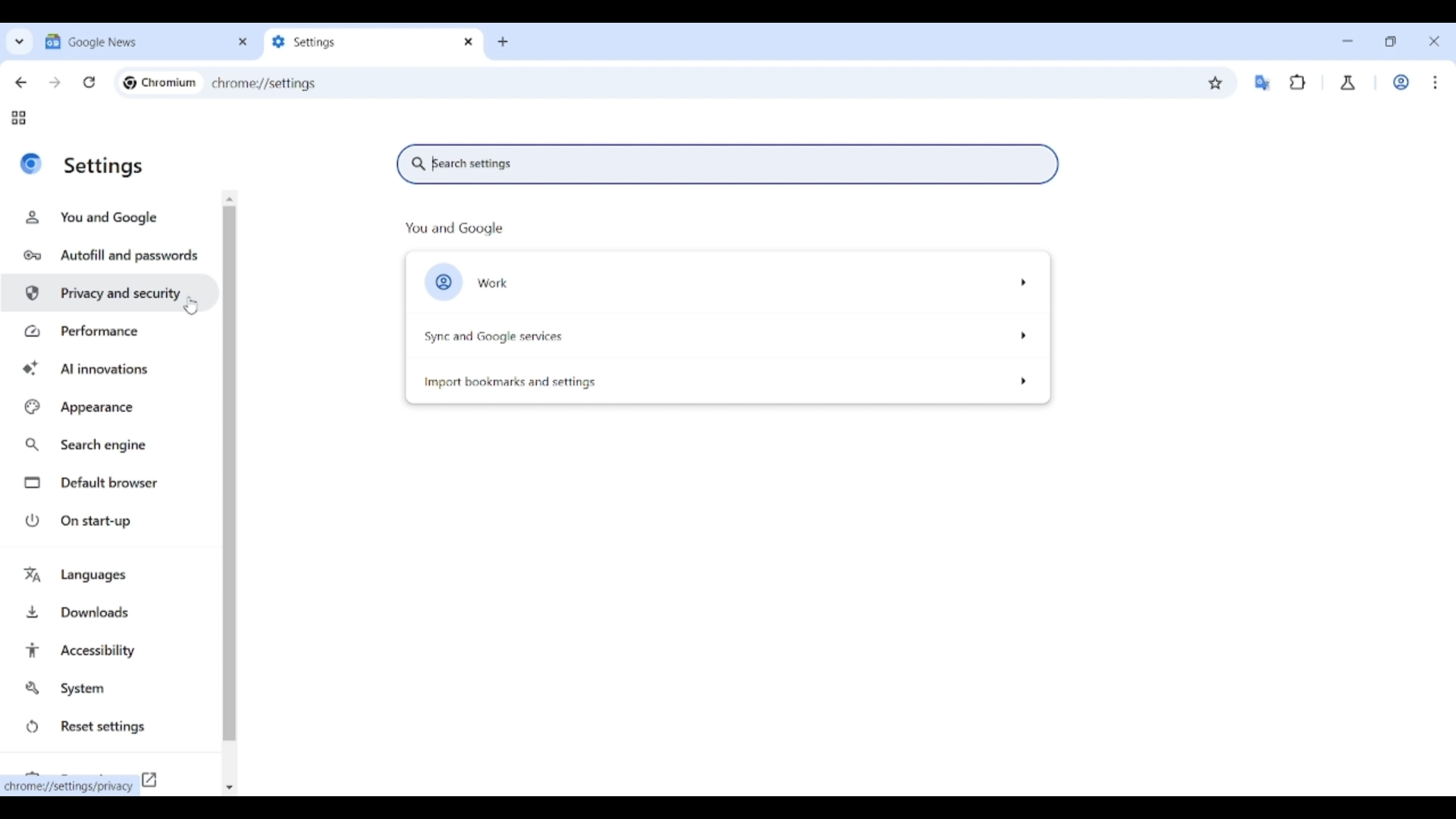 The image size is (1456, 819). Describe the element at coordinates (361, 42) in the screenshot. I see `Tab 2 changed` at that location.